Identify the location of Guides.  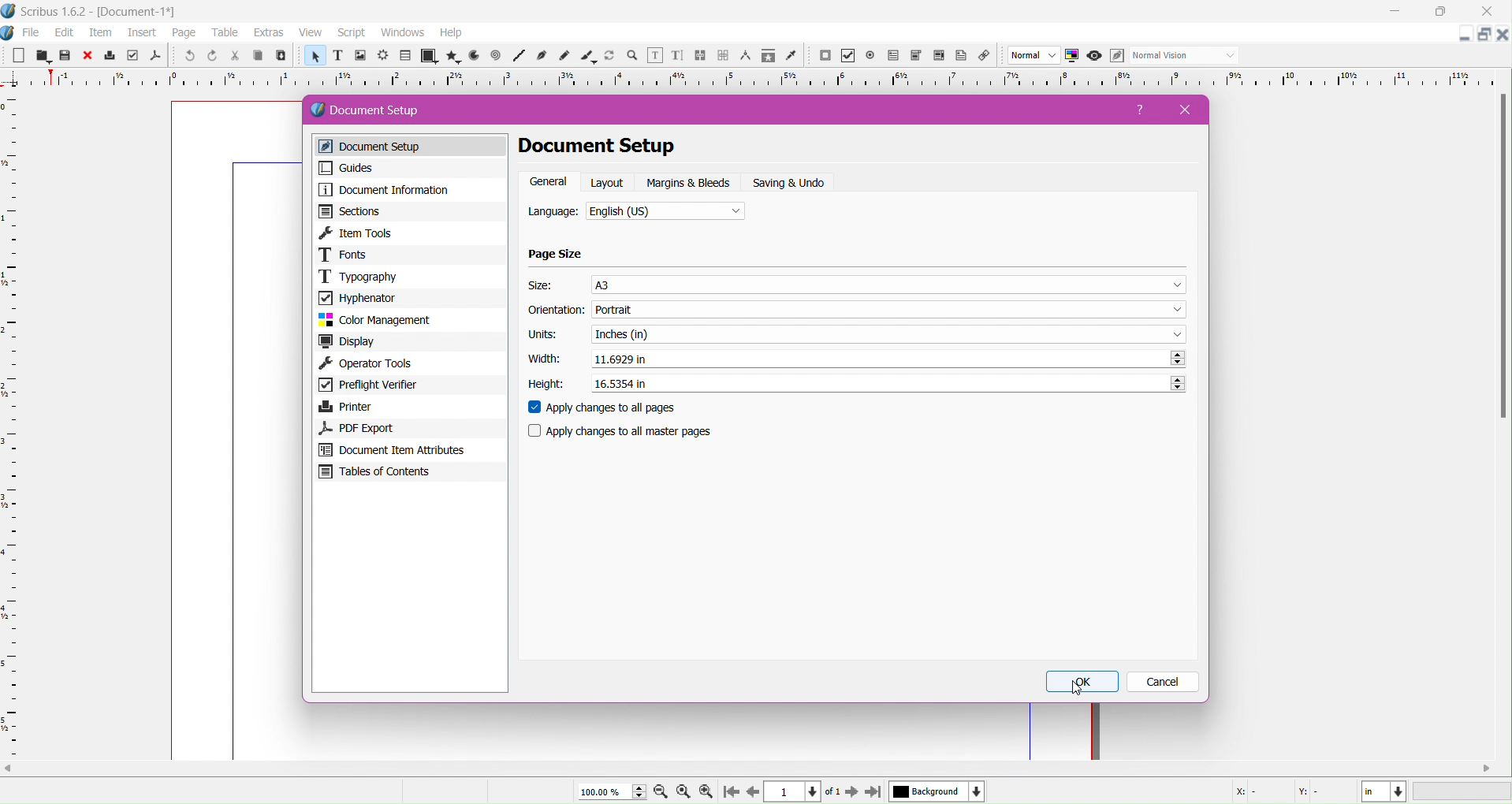
(407, 168).